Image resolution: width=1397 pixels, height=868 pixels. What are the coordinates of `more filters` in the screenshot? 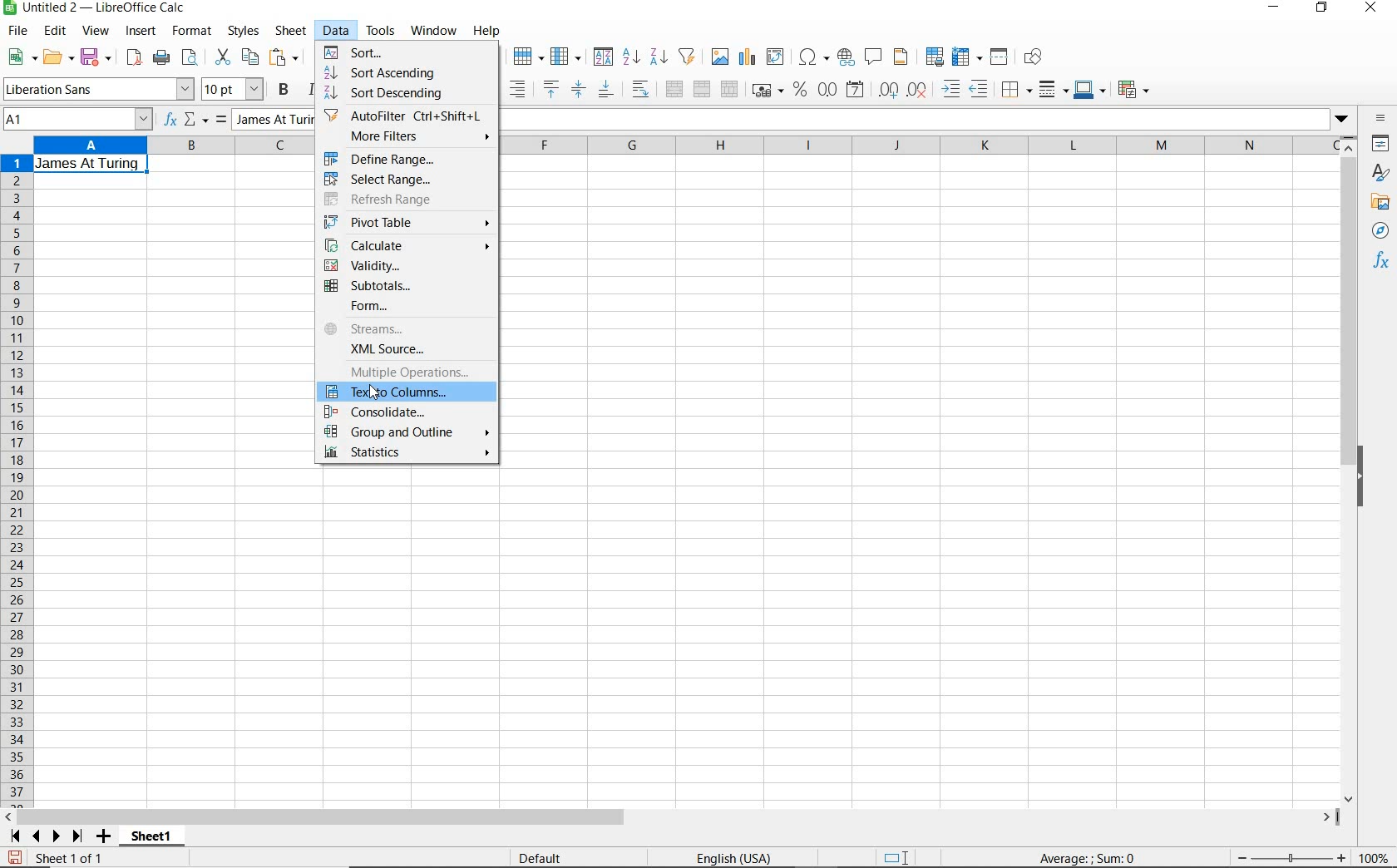 It's located at (416, 138).